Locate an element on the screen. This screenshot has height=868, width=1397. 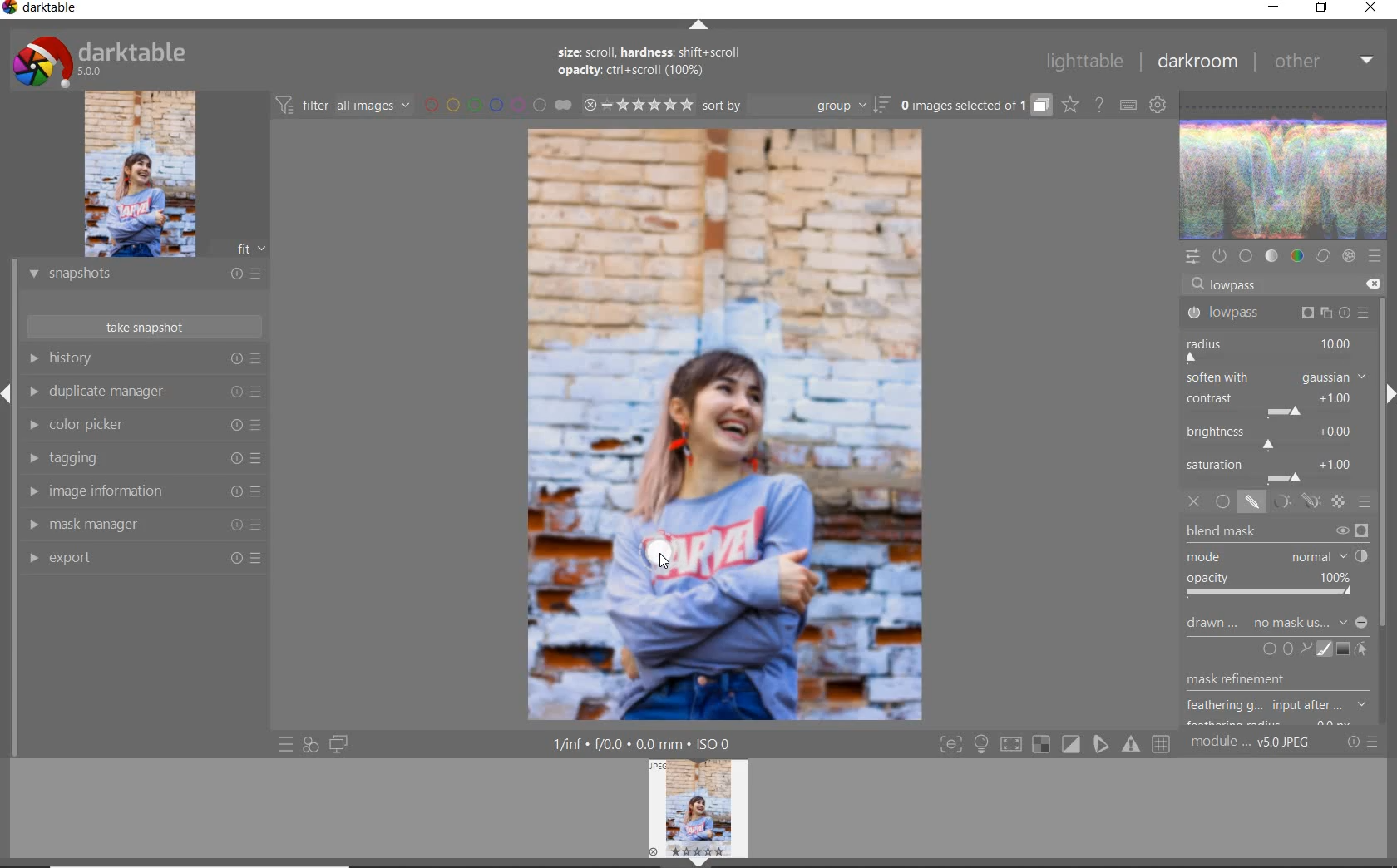
Toggle modes is located at coordinates (1054, 745).